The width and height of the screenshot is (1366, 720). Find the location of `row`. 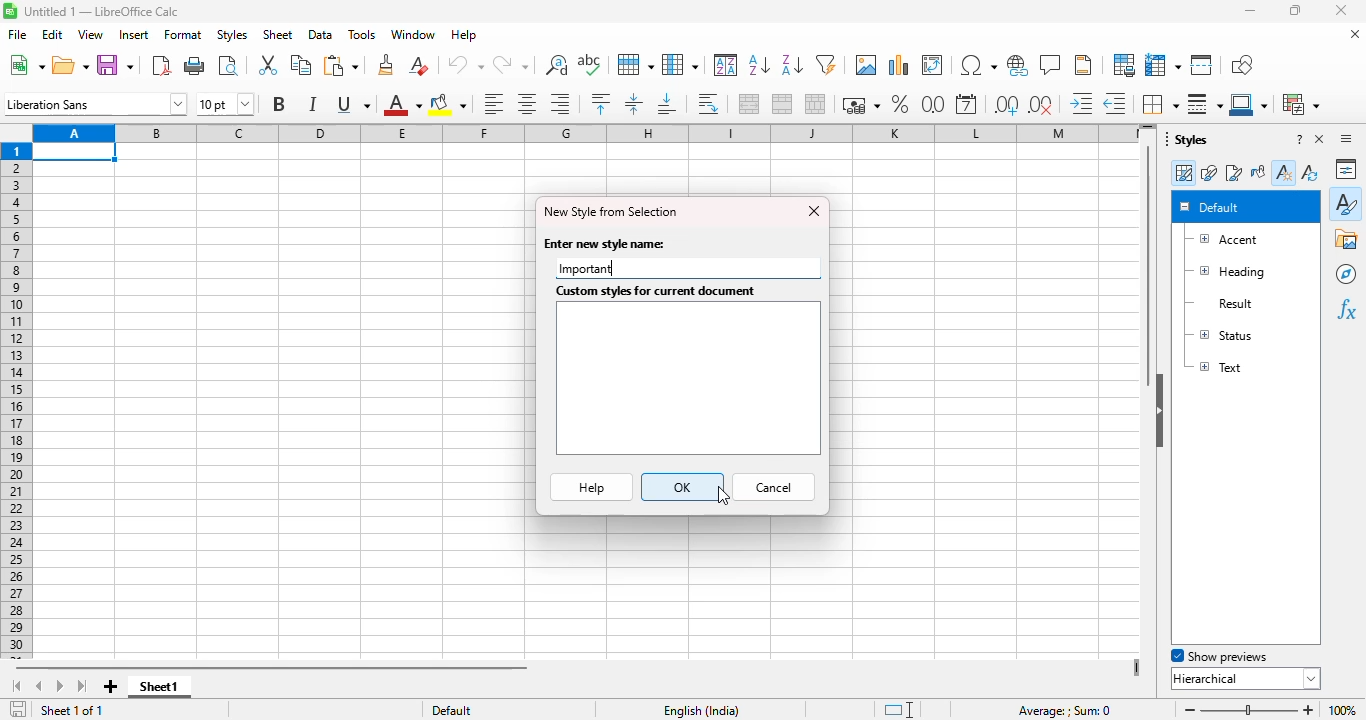

row is located at coordinates (635, 64).